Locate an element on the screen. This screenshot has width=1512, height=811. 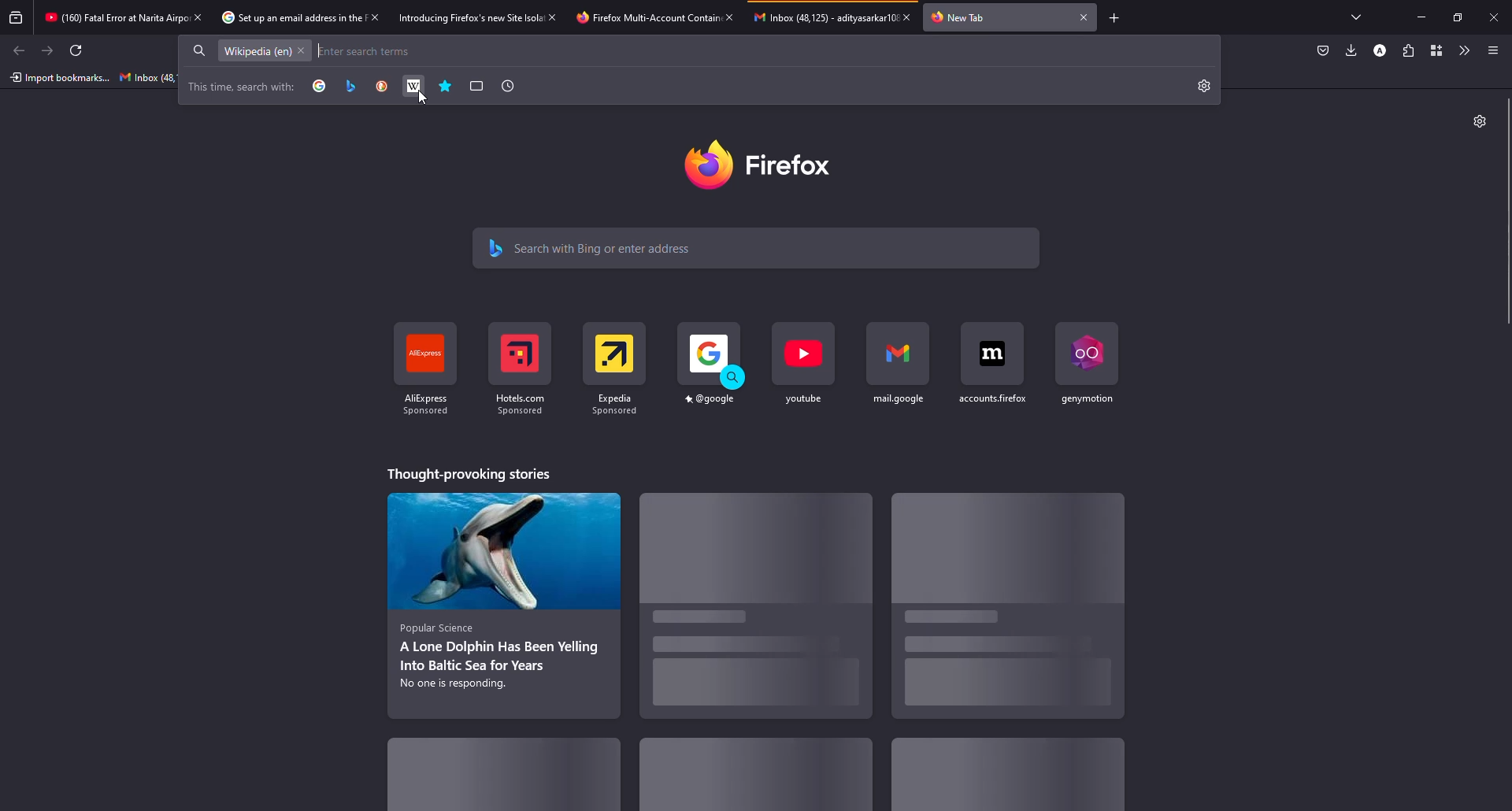
view recent is located at coordinates (17, 17).